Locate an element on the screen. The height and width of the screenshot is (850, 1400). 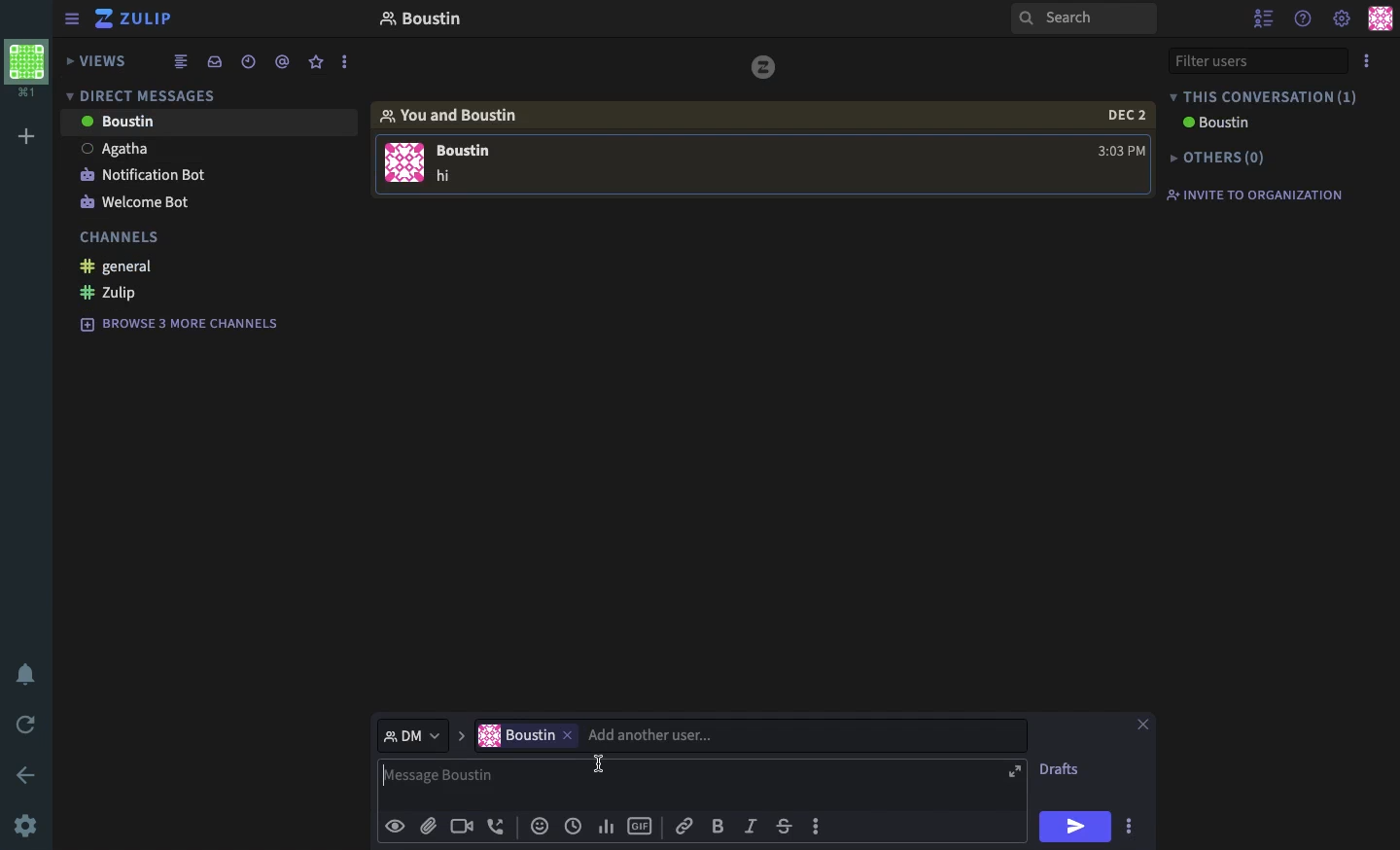
current user "Boustin" is located at coordinates (517, 736).